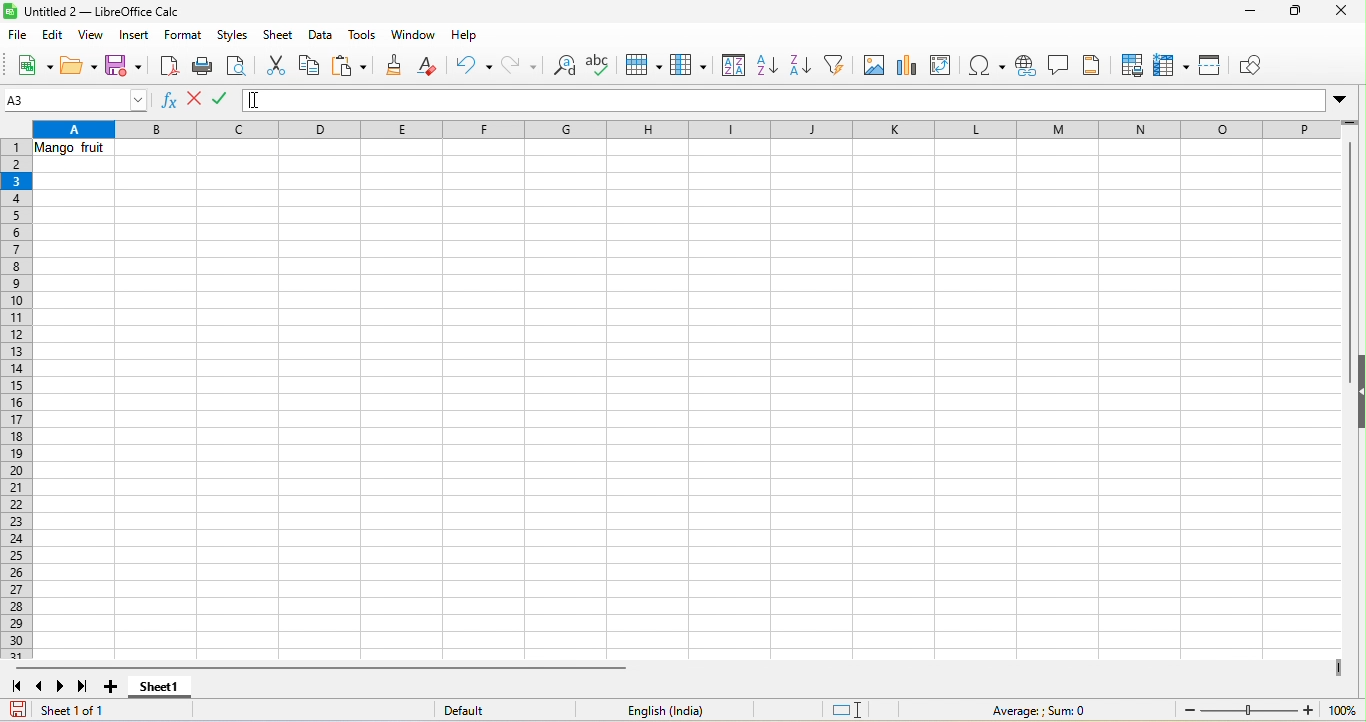 This screenshot has width=1366, height=722. What do you see at coordinates (1095, 65) in the screenshot?
I see `header and footer` at bounding box center [1095, 65].